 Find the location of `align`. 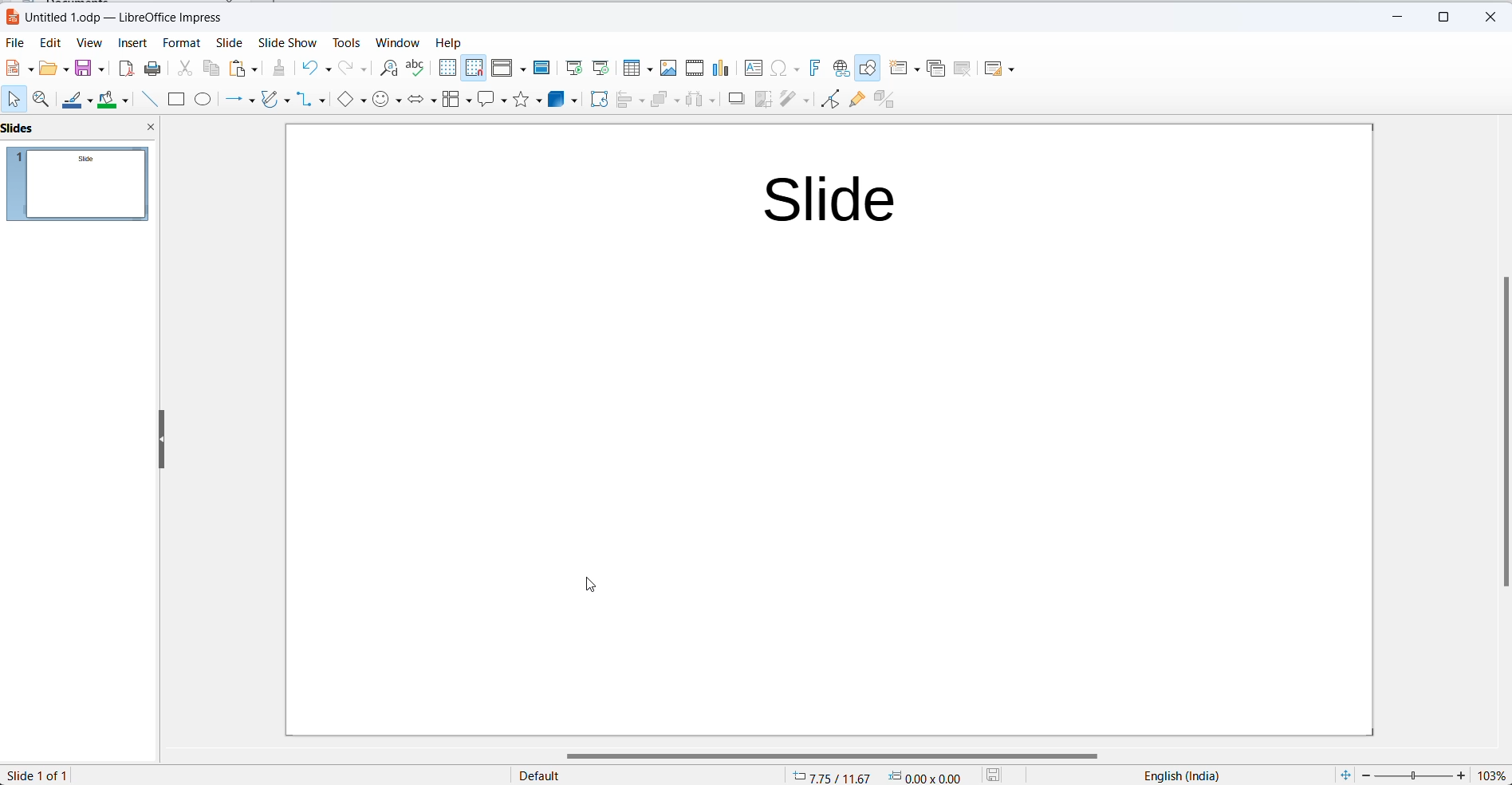

align is located at coordinates (629, 102).